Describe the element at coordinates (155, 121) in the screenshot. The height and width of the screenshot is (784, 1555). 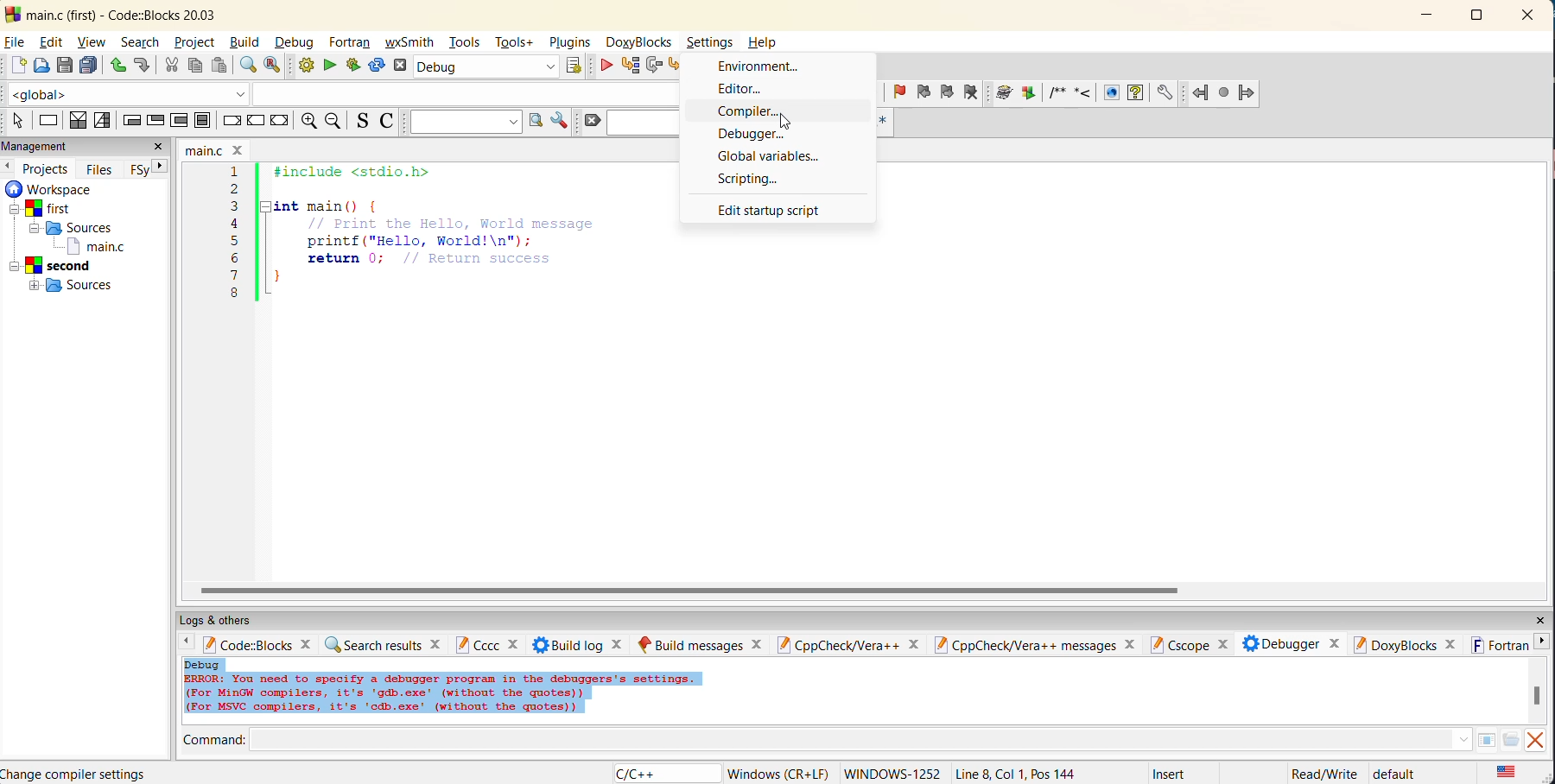
I see `exit condition loop` at that location.